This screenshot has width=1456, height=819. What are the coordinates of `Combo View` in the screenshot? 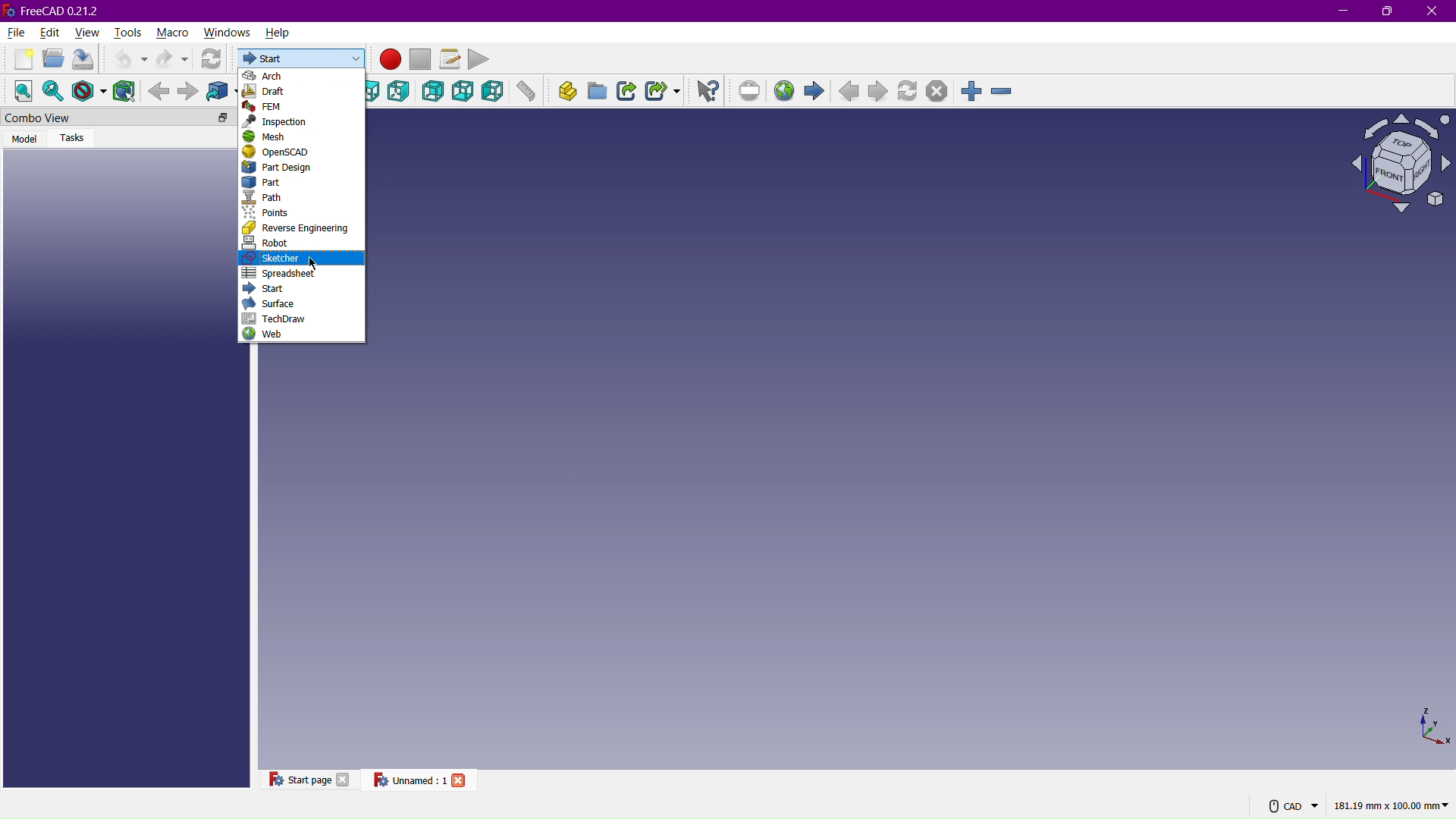 It's located at (83, 118).